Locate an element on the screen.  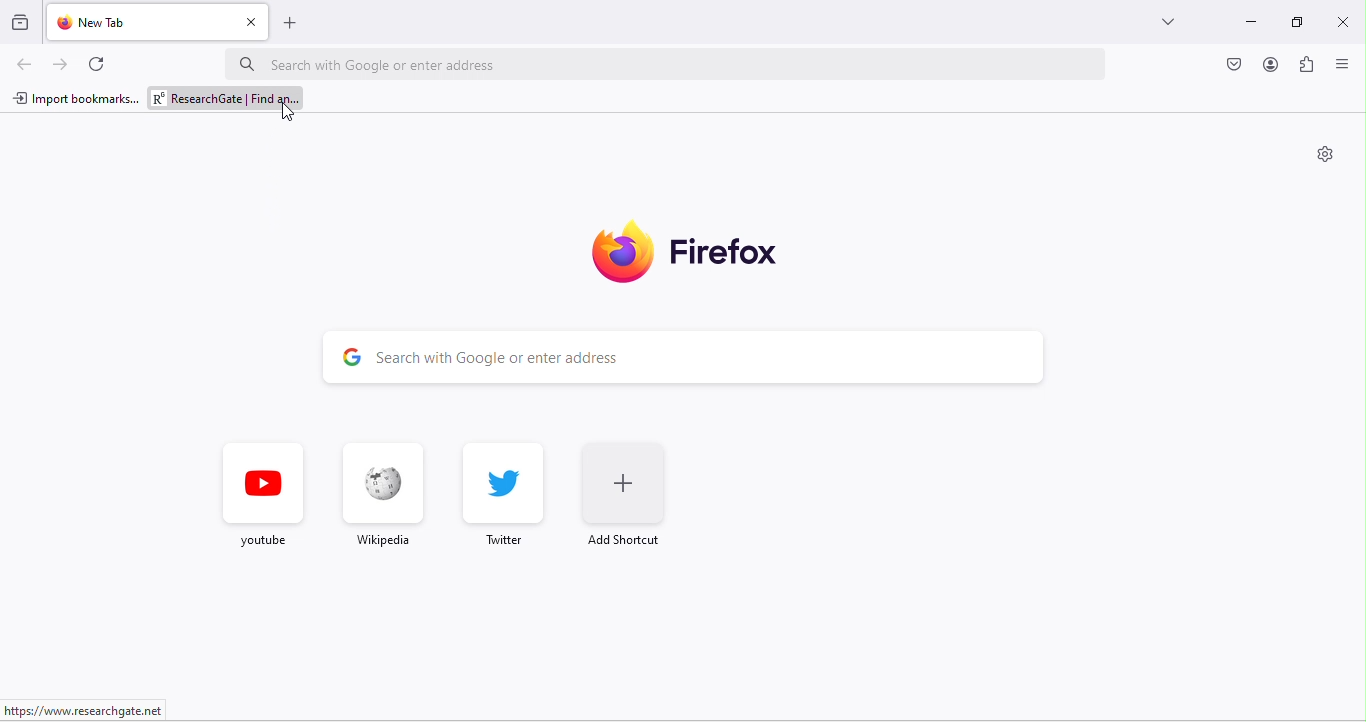
close is located at coordinates (253, 22).